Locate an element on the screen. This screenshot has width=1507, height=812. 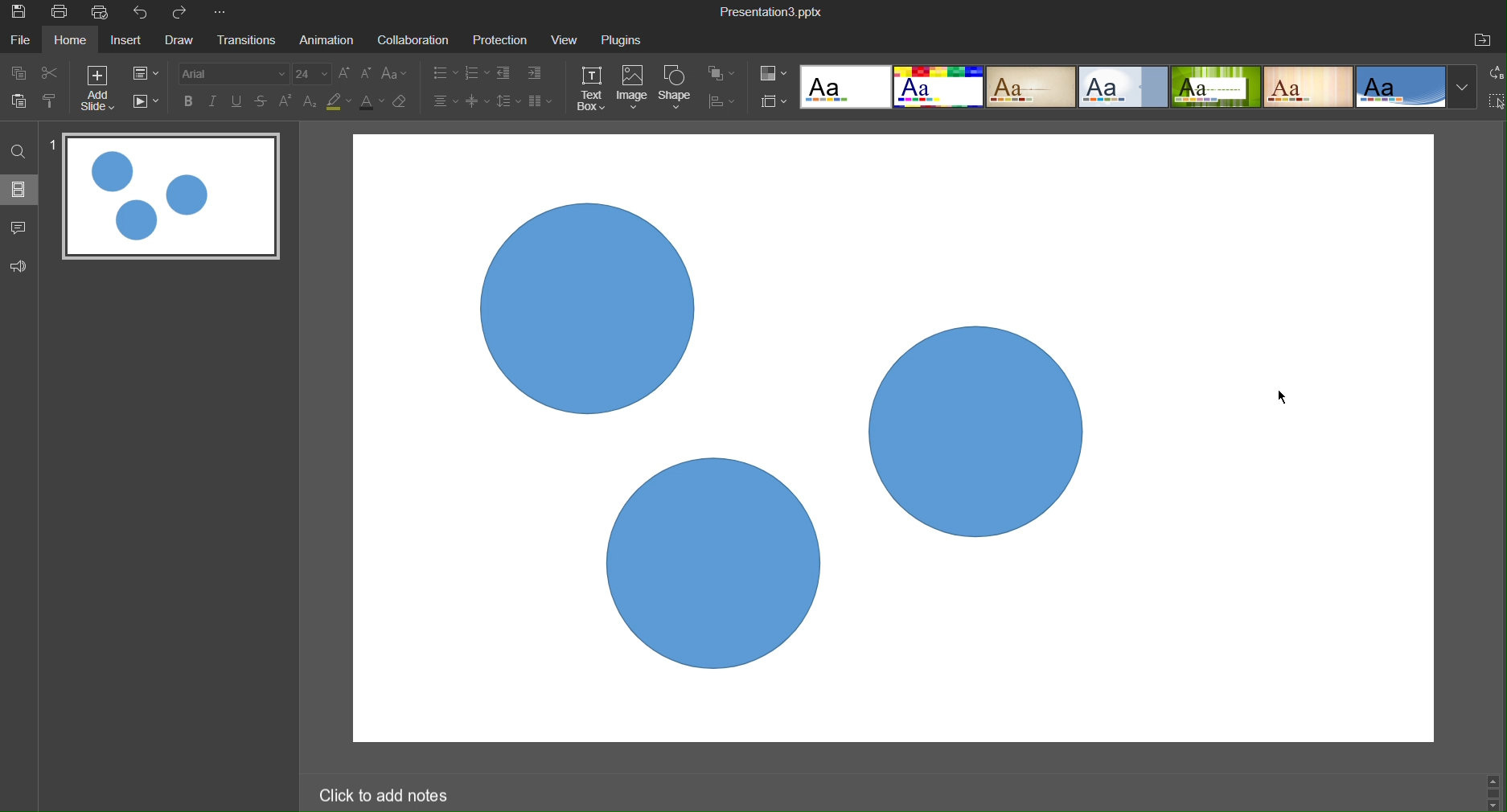
Replace is located at coordinates (1493, 76).